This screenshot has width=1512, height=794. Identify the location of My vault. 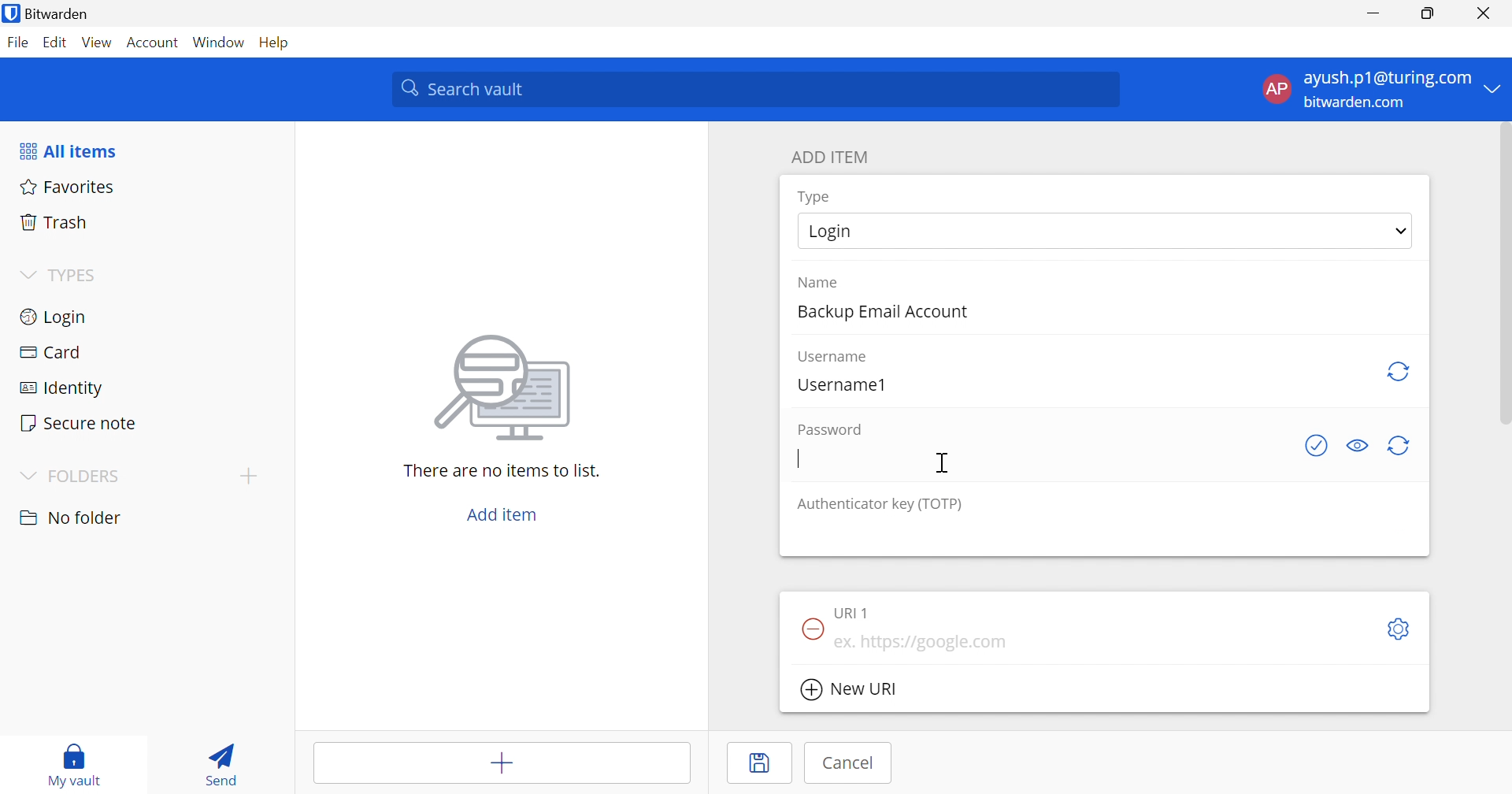
(74, 766).